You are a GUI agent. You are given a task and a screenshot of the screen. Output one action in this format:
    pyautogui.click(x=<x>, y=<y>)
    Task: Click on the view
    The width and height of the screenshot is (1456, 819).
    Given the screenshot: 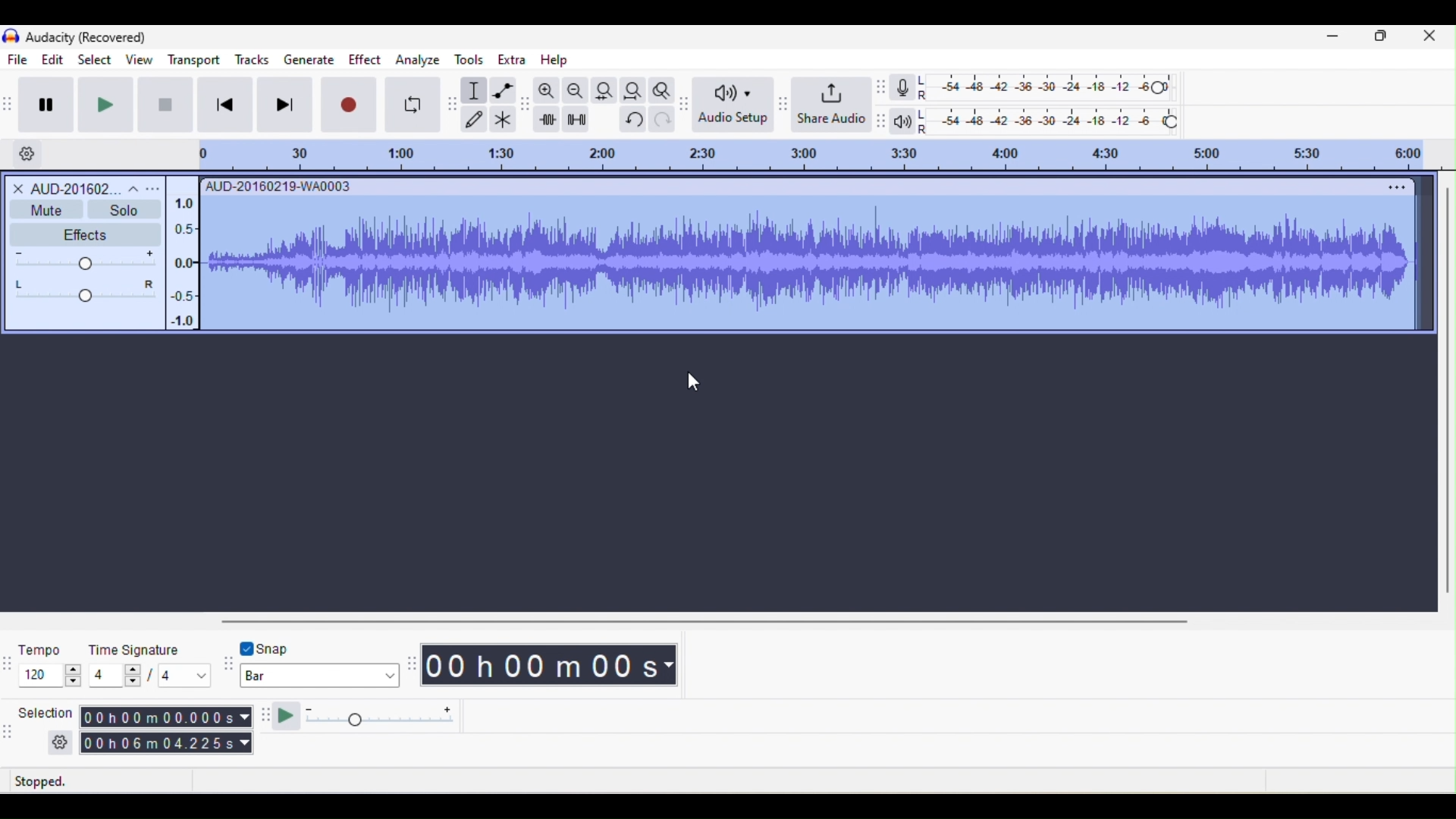 What is the action you would take?
    pyautogui.click(x=138, y=60)
    